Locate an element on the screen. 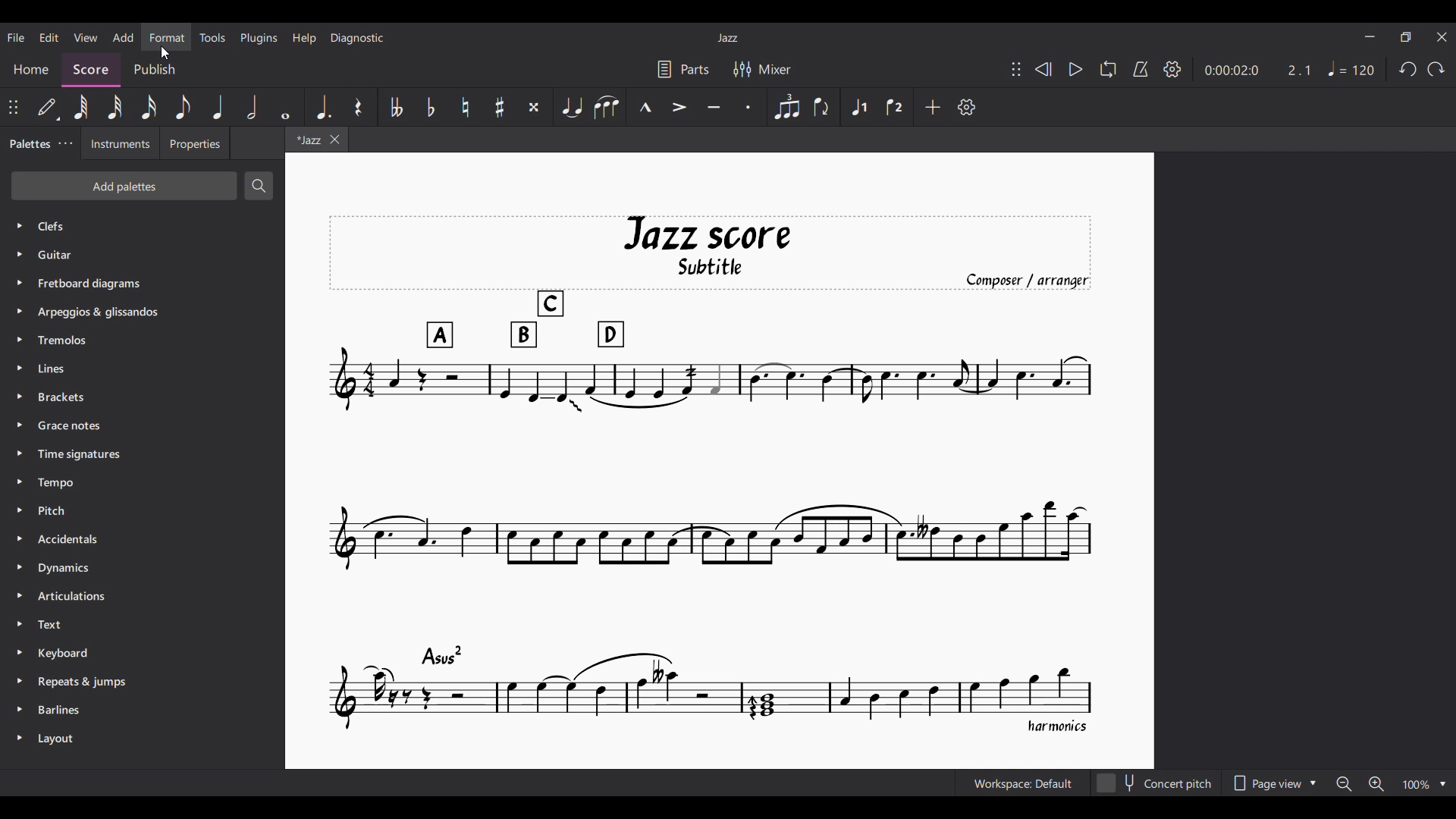 The height and width of the screenshot is (819, 1456). Home is located at coordinates (31, 69).